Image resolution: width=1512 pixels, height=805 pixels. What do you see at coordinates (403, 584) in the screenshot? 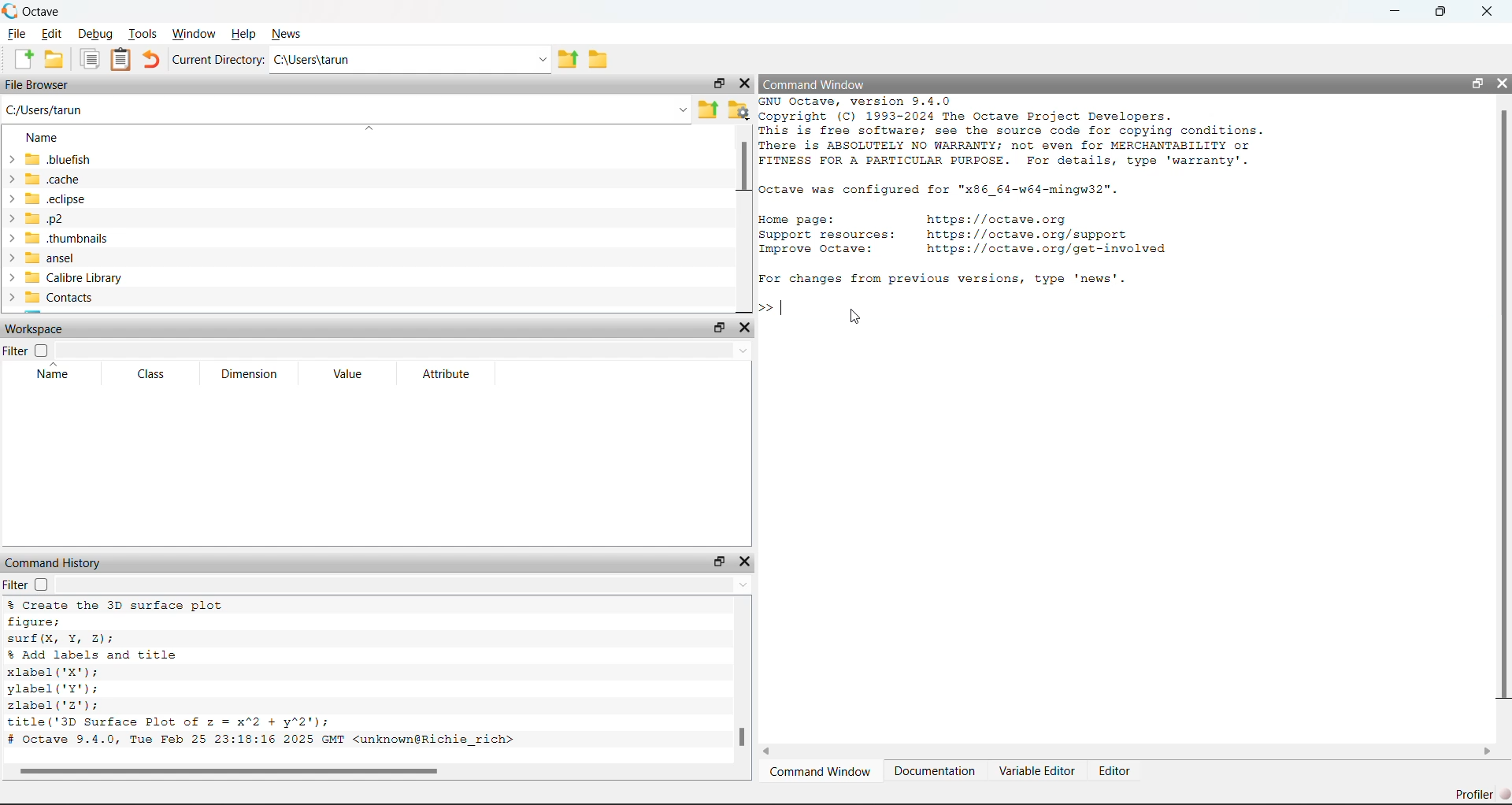
I see `Dropdown` at bounding box center [403, 584].